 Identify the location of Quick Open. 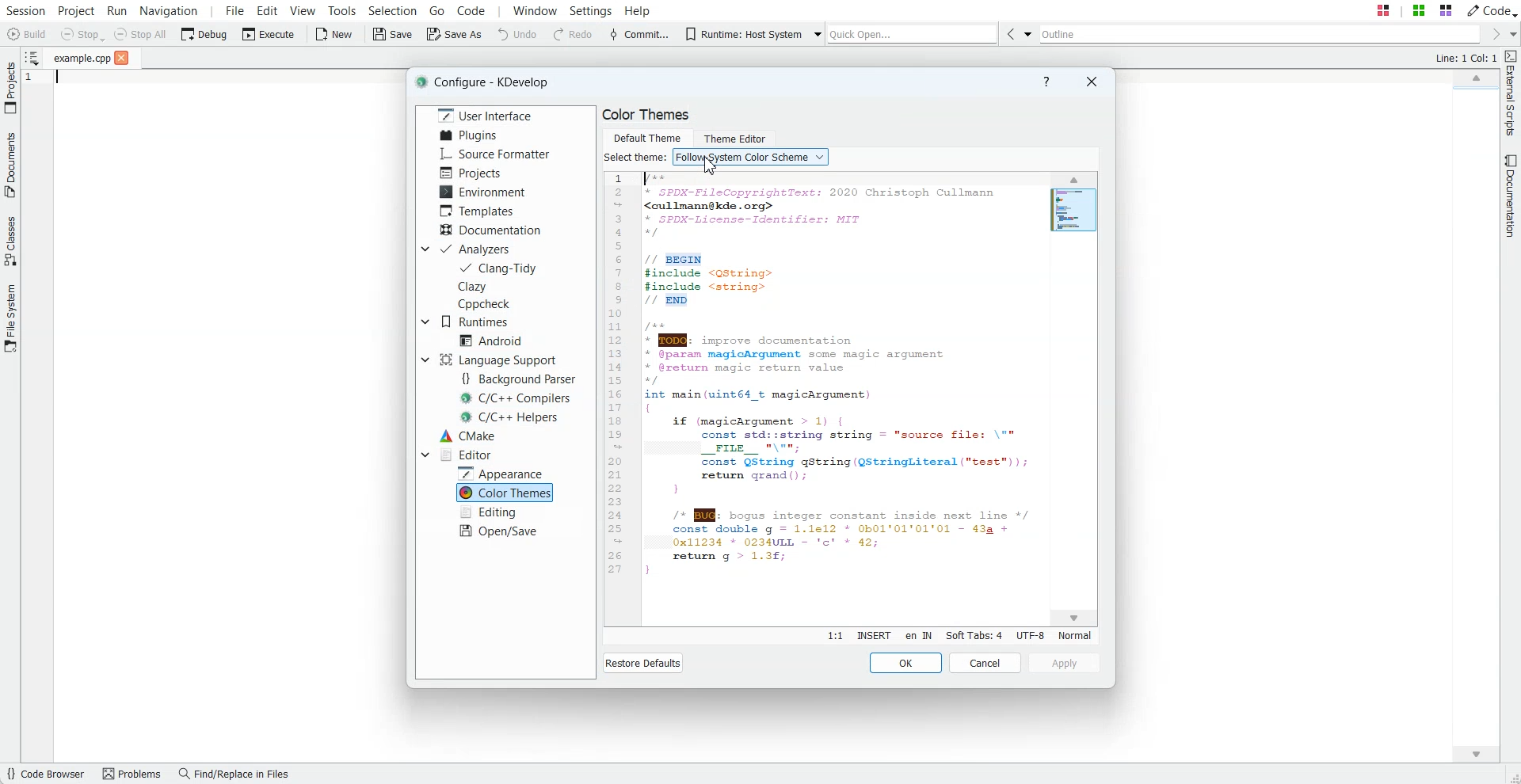
(912, 34).